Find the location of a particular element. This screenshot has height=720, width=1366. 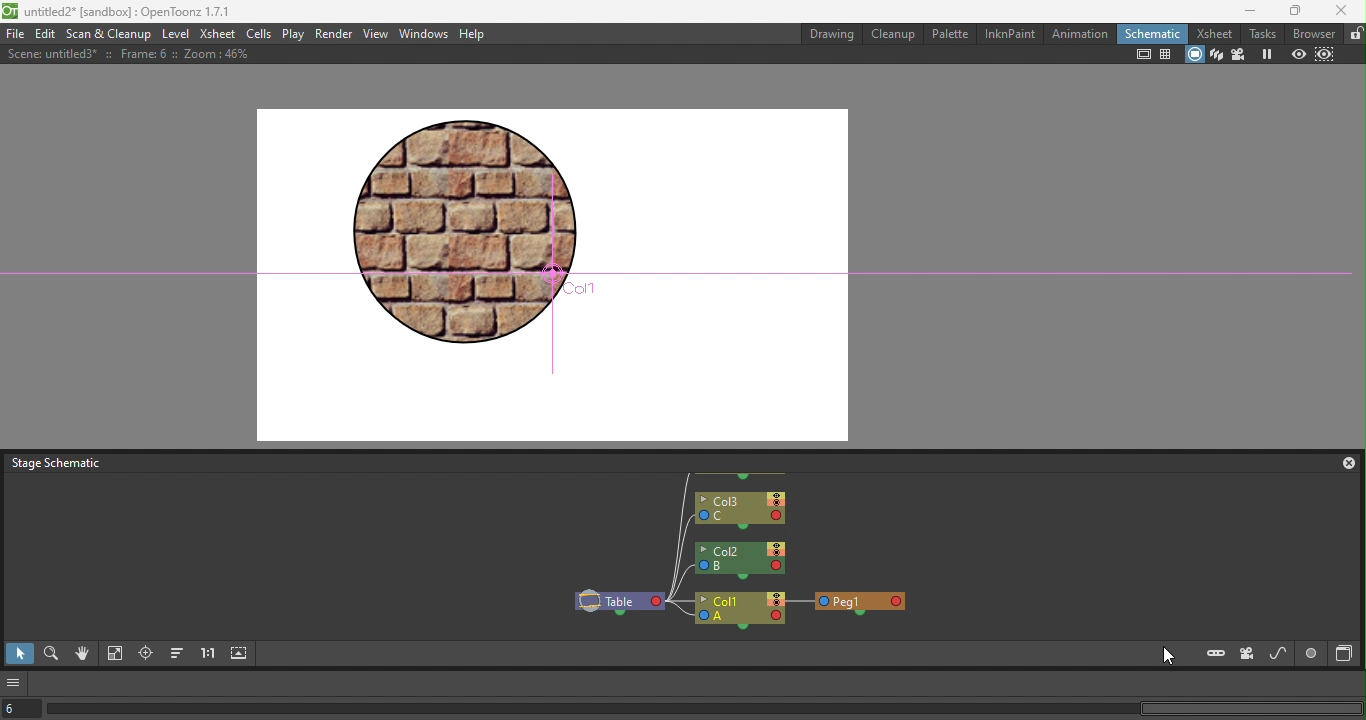

Cursor is located at coordinates (1165, 659).